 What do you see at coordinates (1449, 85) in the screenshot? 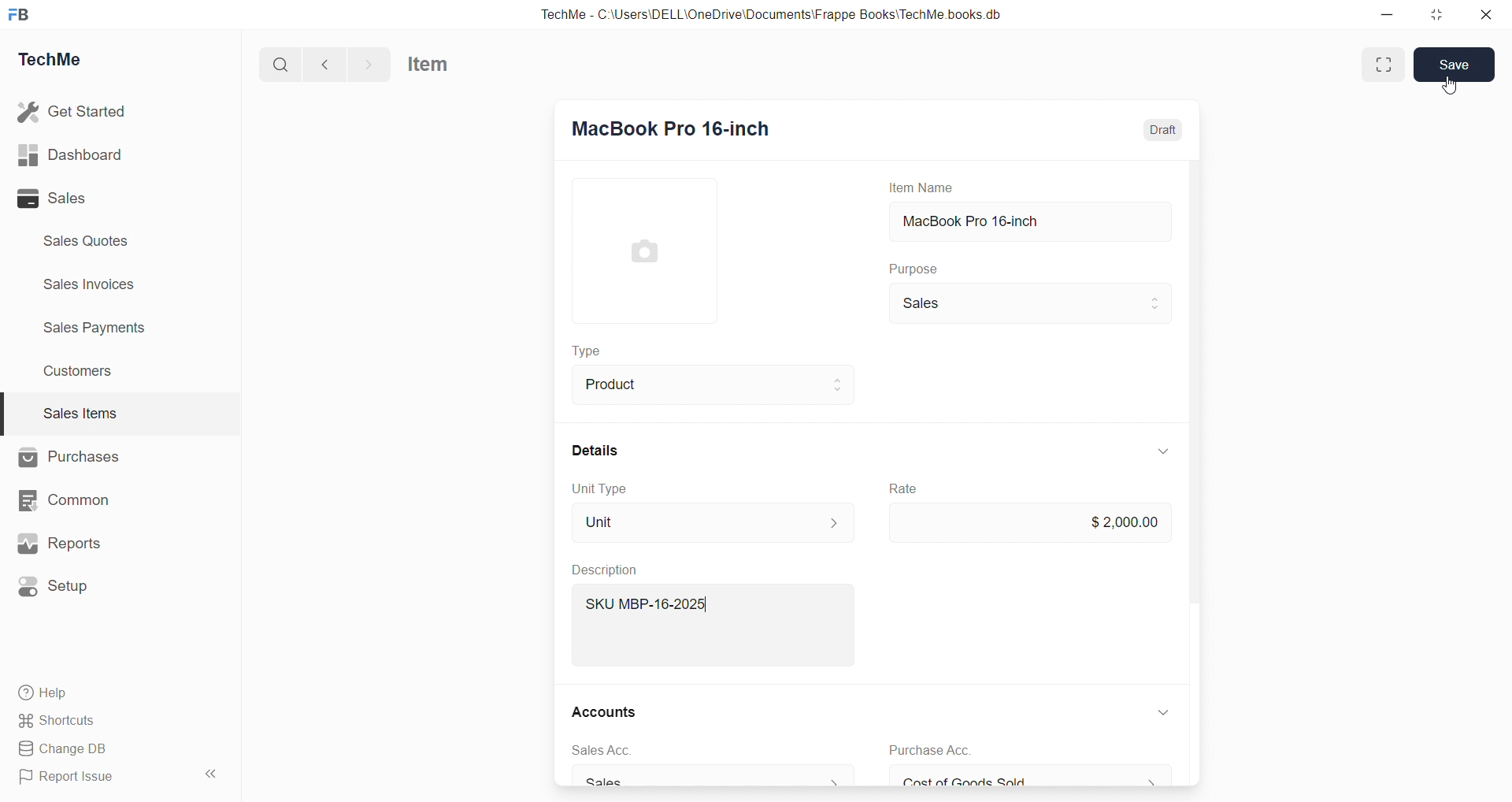
I see `cursor` at bounding box center [1449, 85].